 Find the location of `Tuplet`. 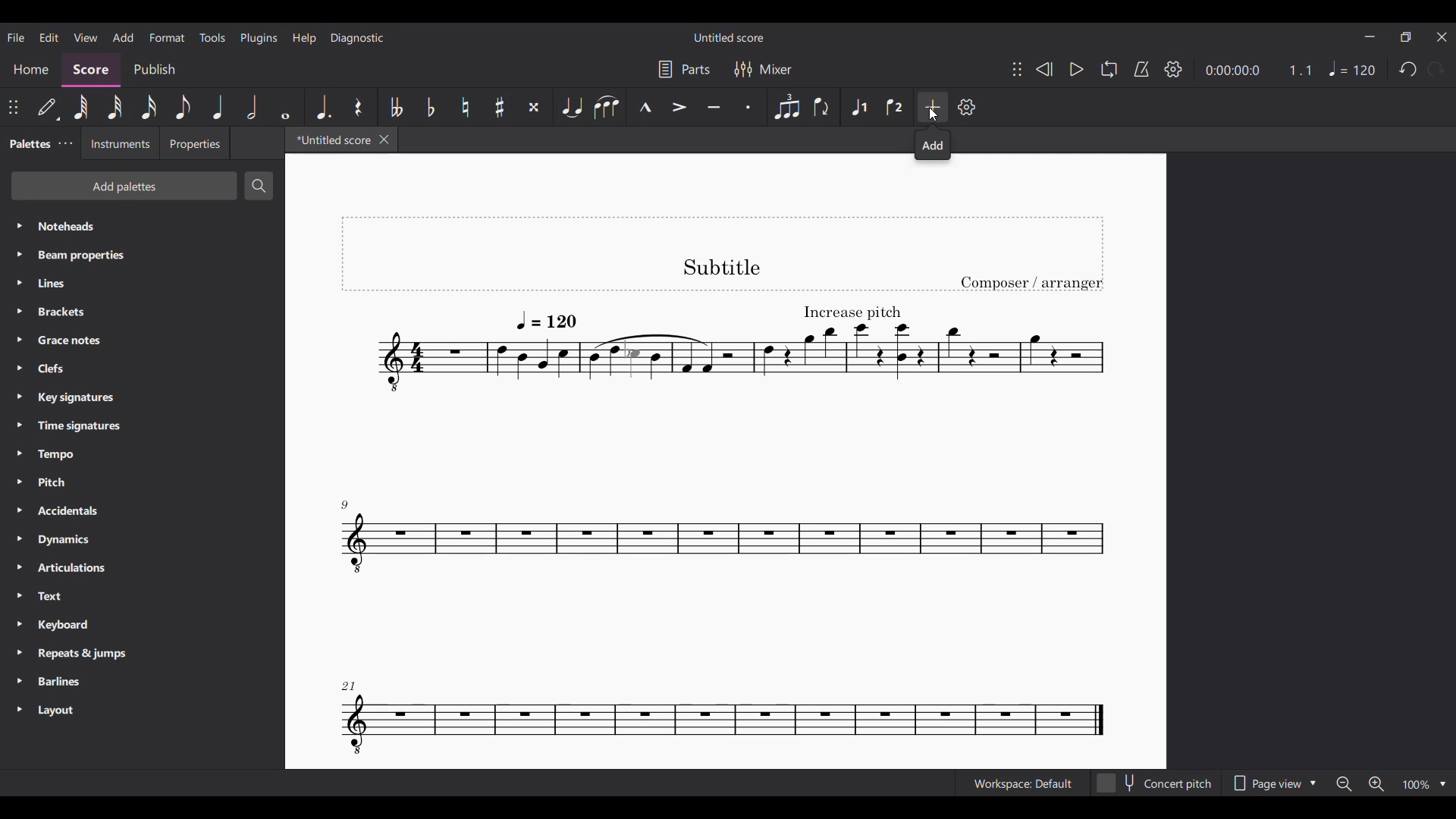

Tuplet is located at coordinates (786, 107).